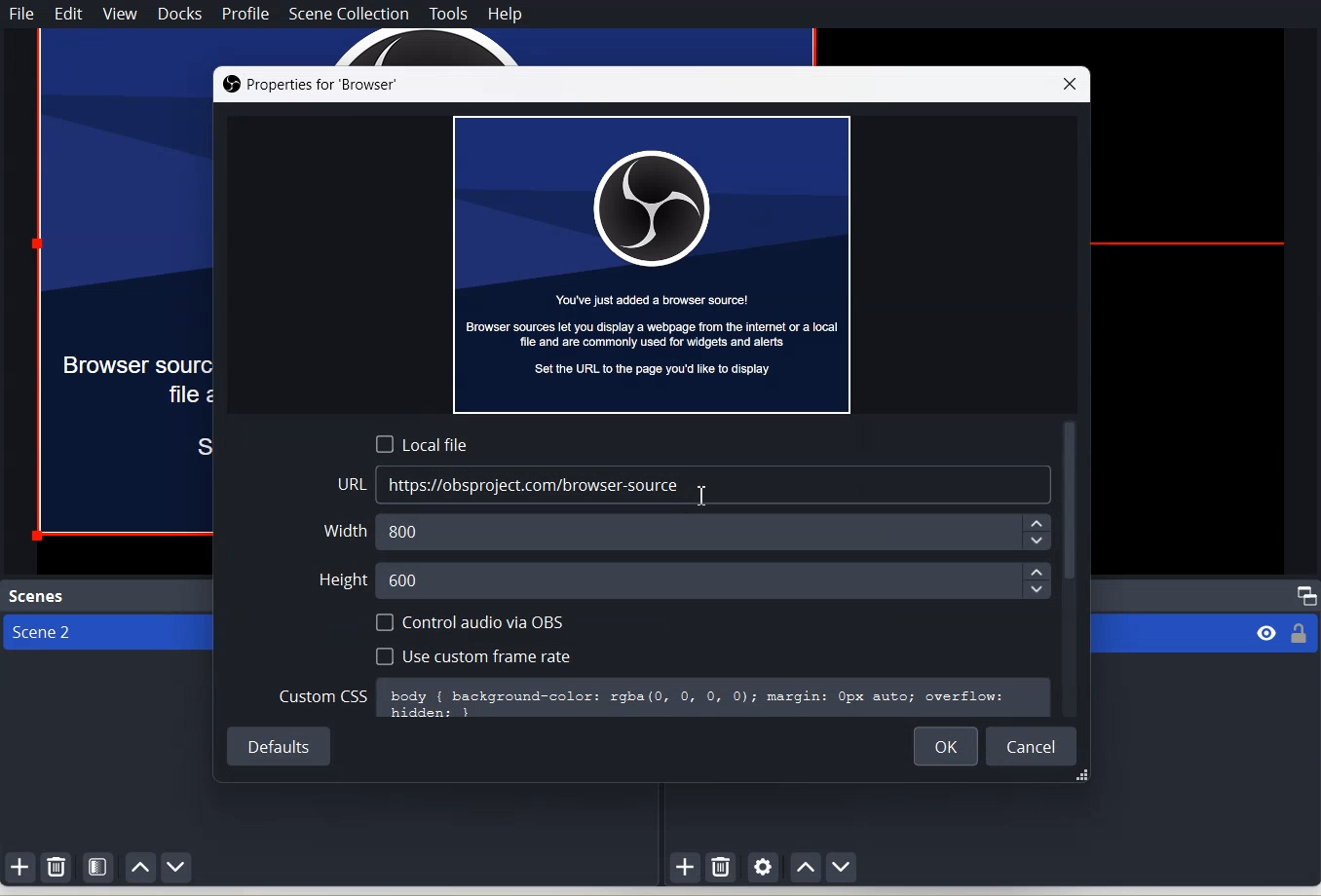  Describe the element at coordinates (1302, 631) in the screenshot. I see `locked or unlocked` at that location.